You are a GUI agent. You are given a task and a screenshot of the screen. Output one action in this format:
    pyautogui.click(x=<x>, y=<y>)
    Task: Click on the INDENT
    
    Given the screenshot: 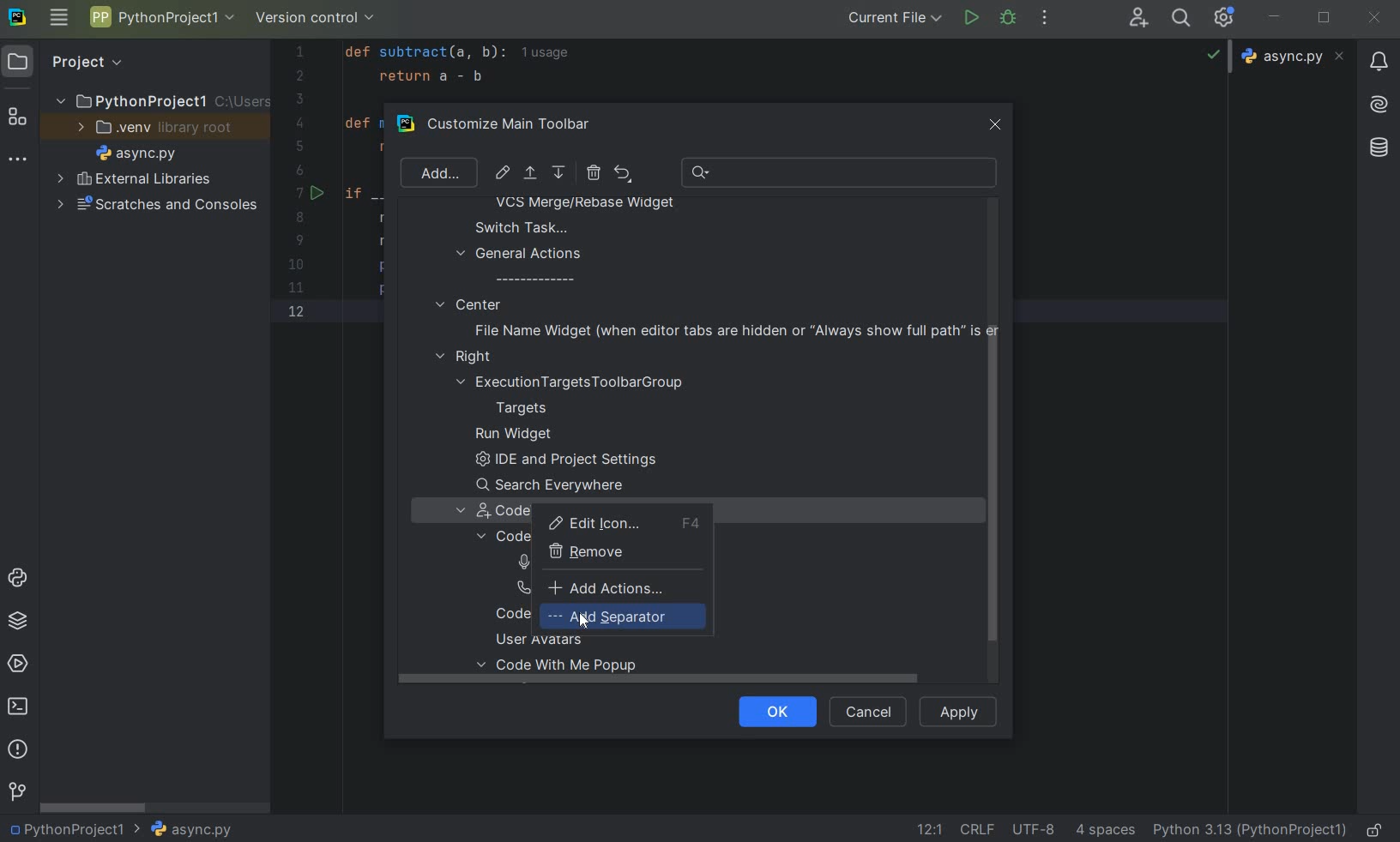 What is the action you would take?
    pyautogui.click(x=1103, y=829)
    